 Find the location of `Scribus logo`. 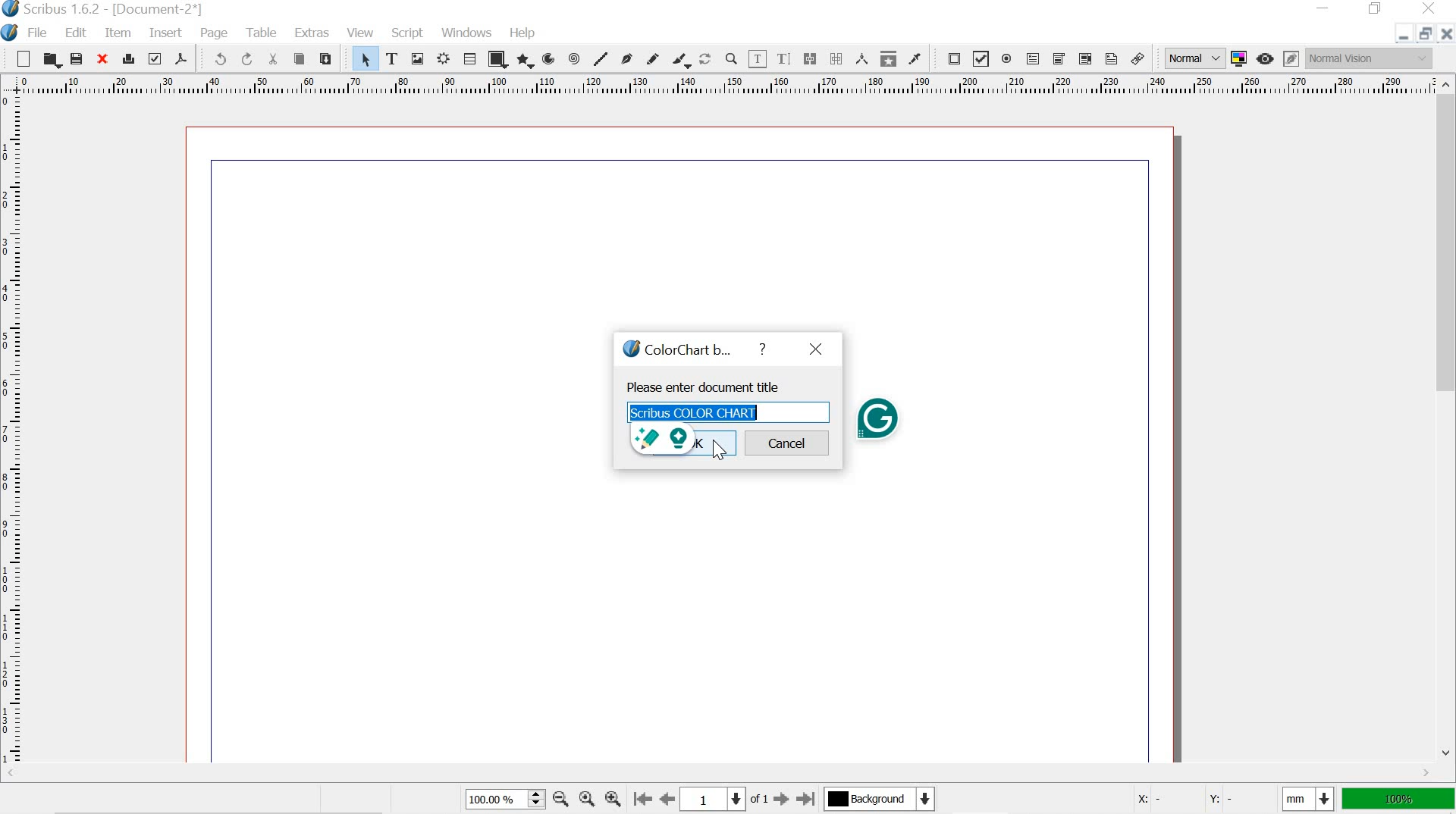

Scribus logo is located at coordinates (627, 349).